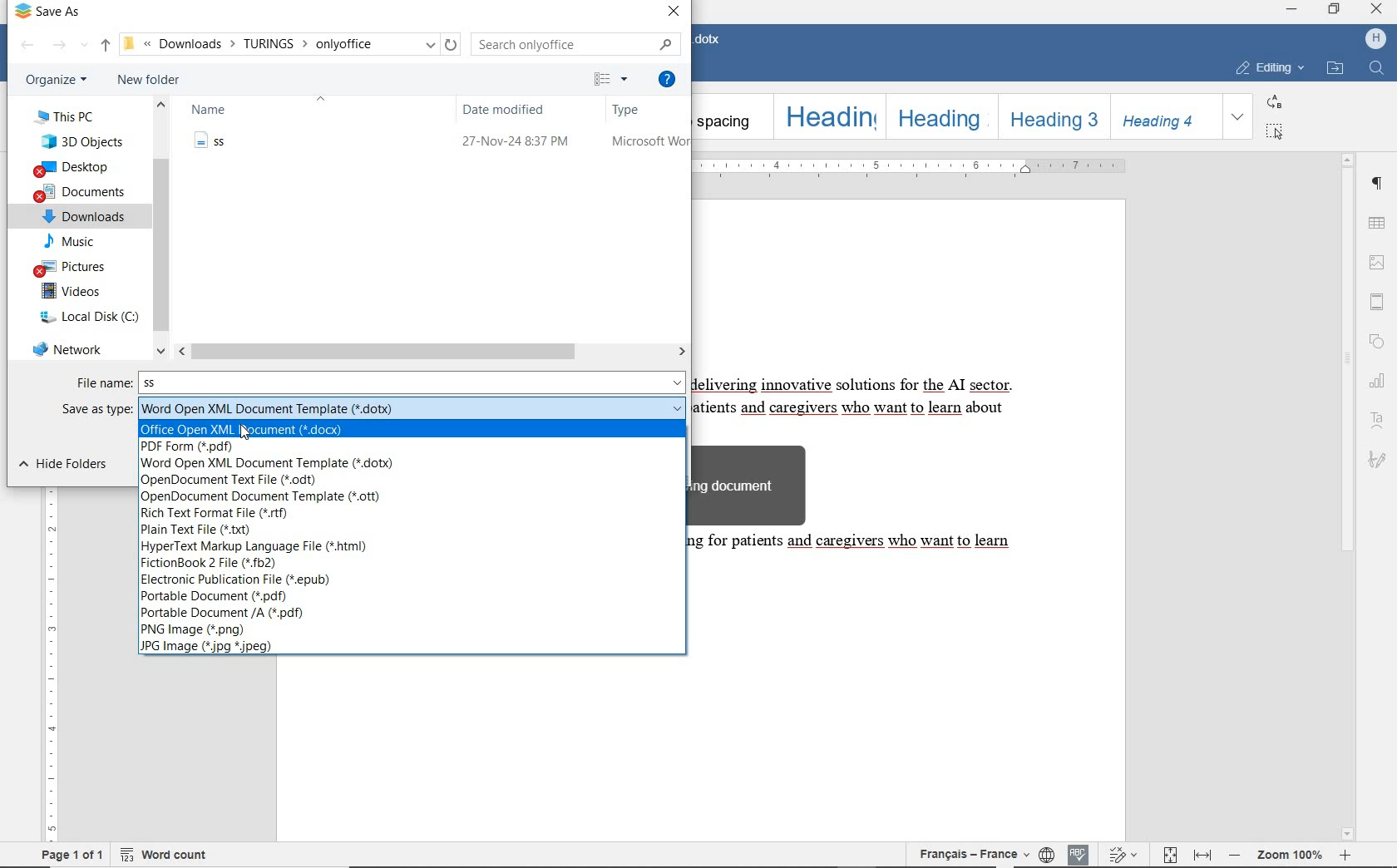 The width and height of the screenshot is (1397, 868). What do you see at coordinates (712, 40) in the screenshot?
I see `DOCUMENT NAME` at bounding box center [712, 40].